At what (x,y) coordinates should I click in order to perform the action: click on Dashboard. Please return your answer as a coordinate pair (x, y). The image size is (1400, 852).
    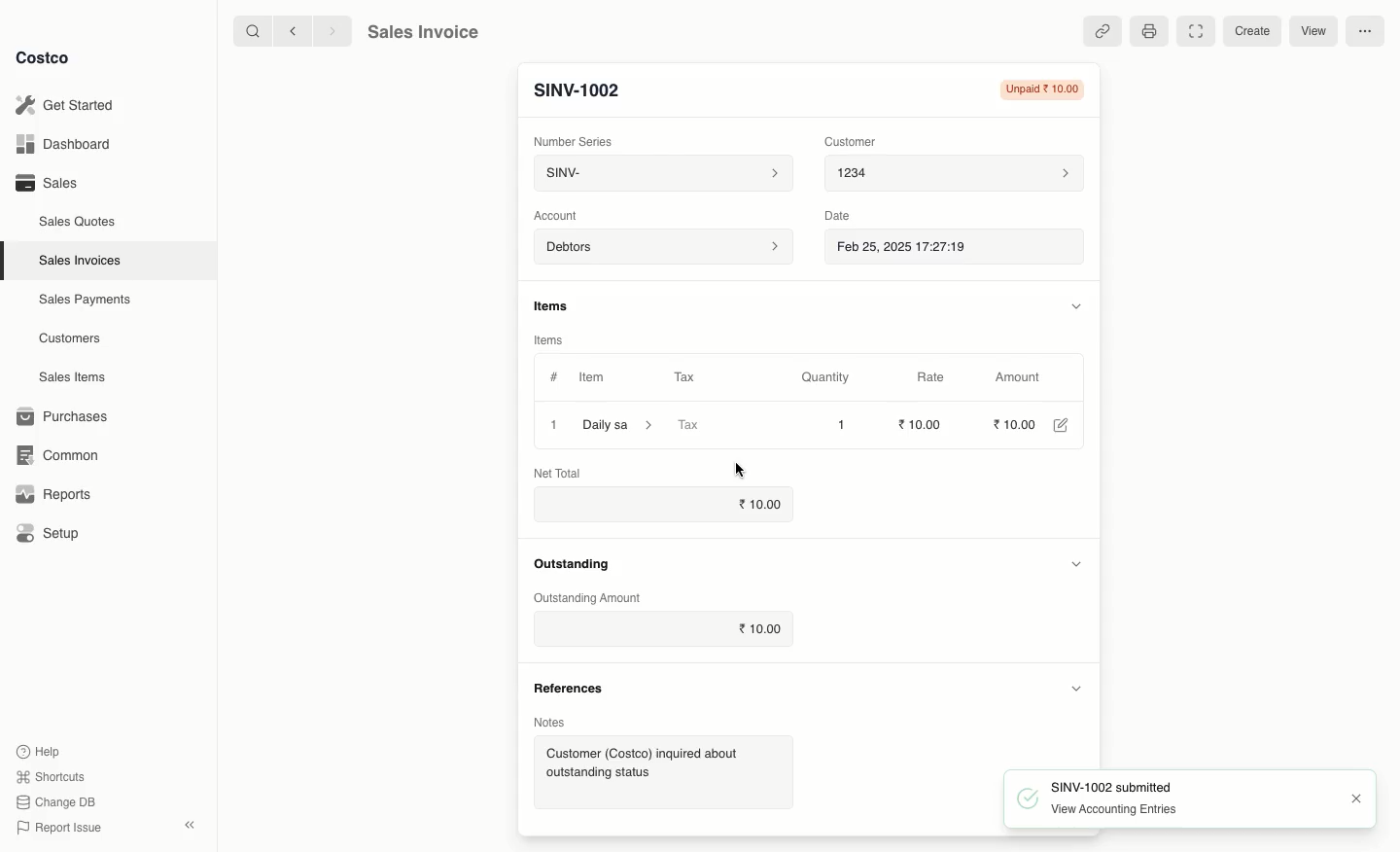
    Looking at the image, I should click on (68, 142).